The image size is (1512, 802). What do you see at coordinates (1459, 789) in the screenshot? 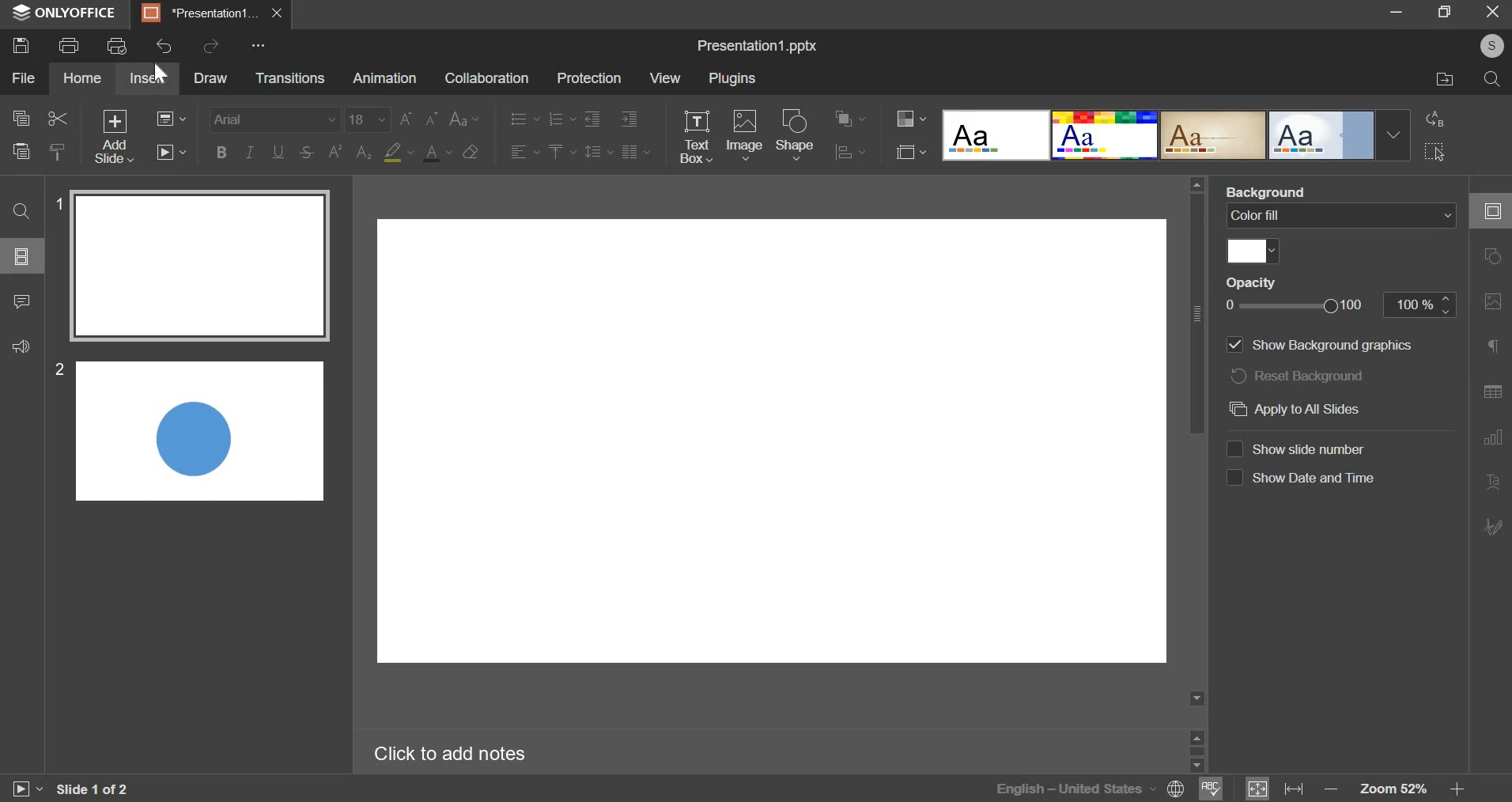
I see `increase zoom` at bounding box center [1459, 789].